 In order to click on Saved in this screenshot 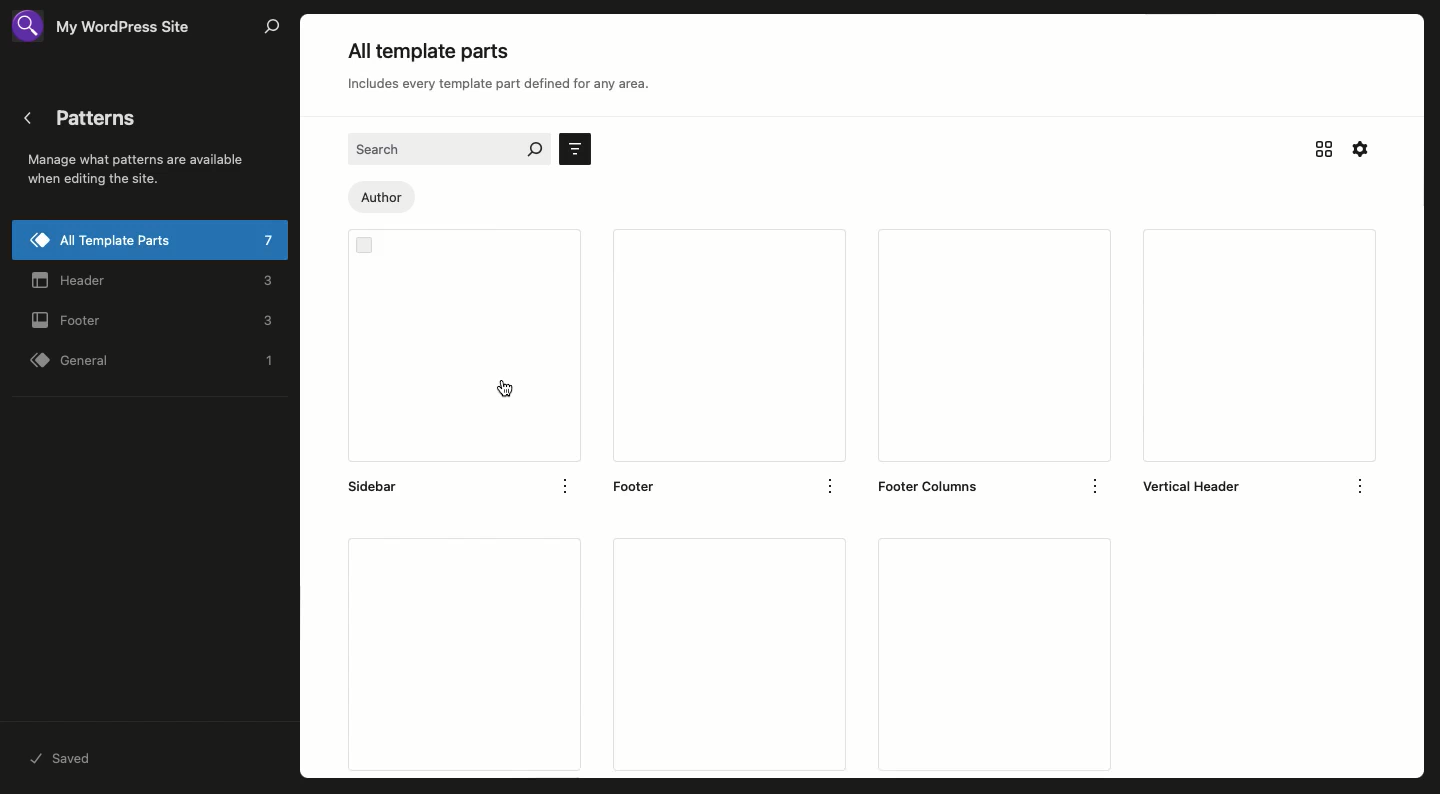, I will do `click(65, 760)`.